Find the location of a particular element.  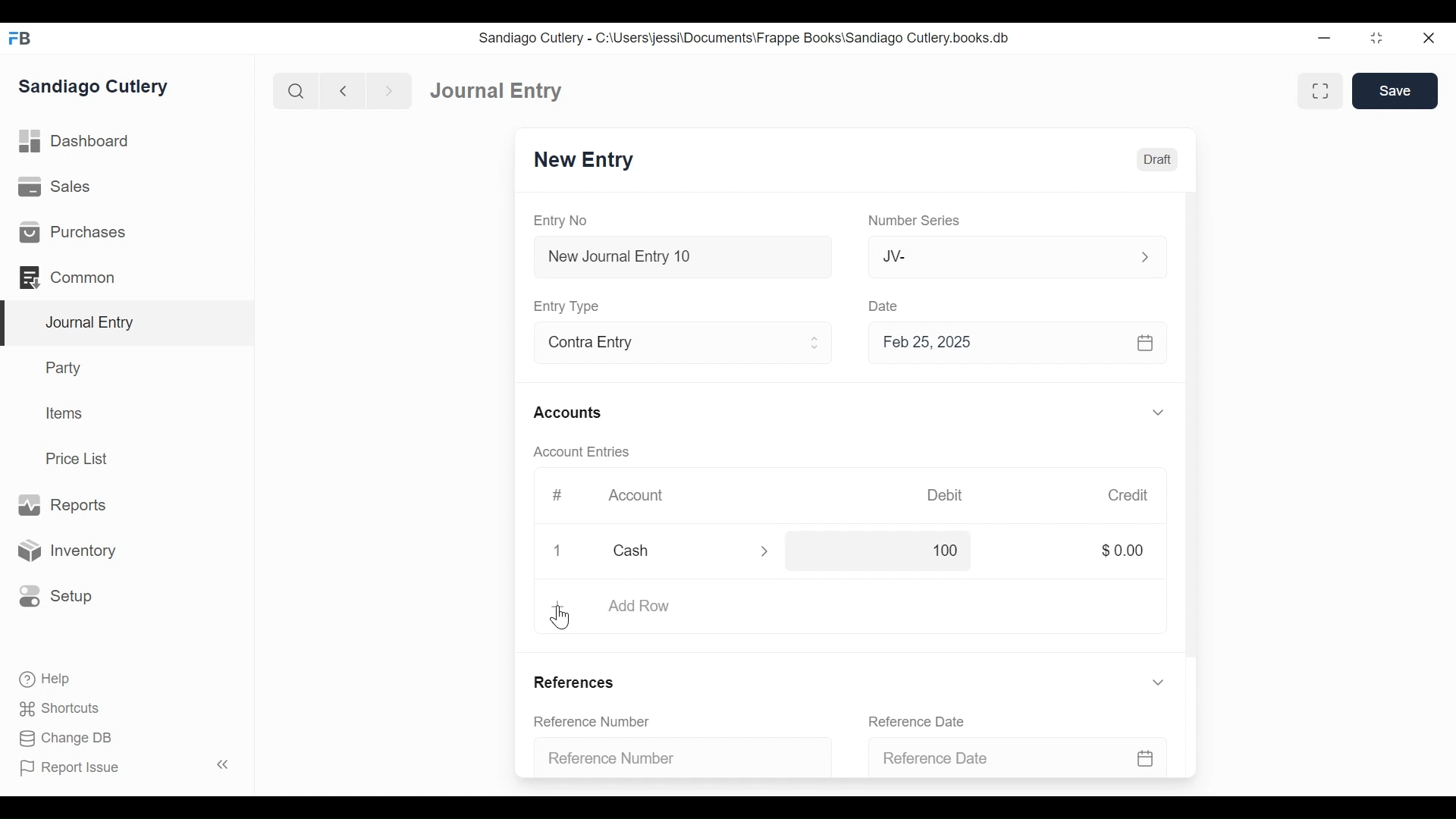

Expand is located at coordinates (816, 345).